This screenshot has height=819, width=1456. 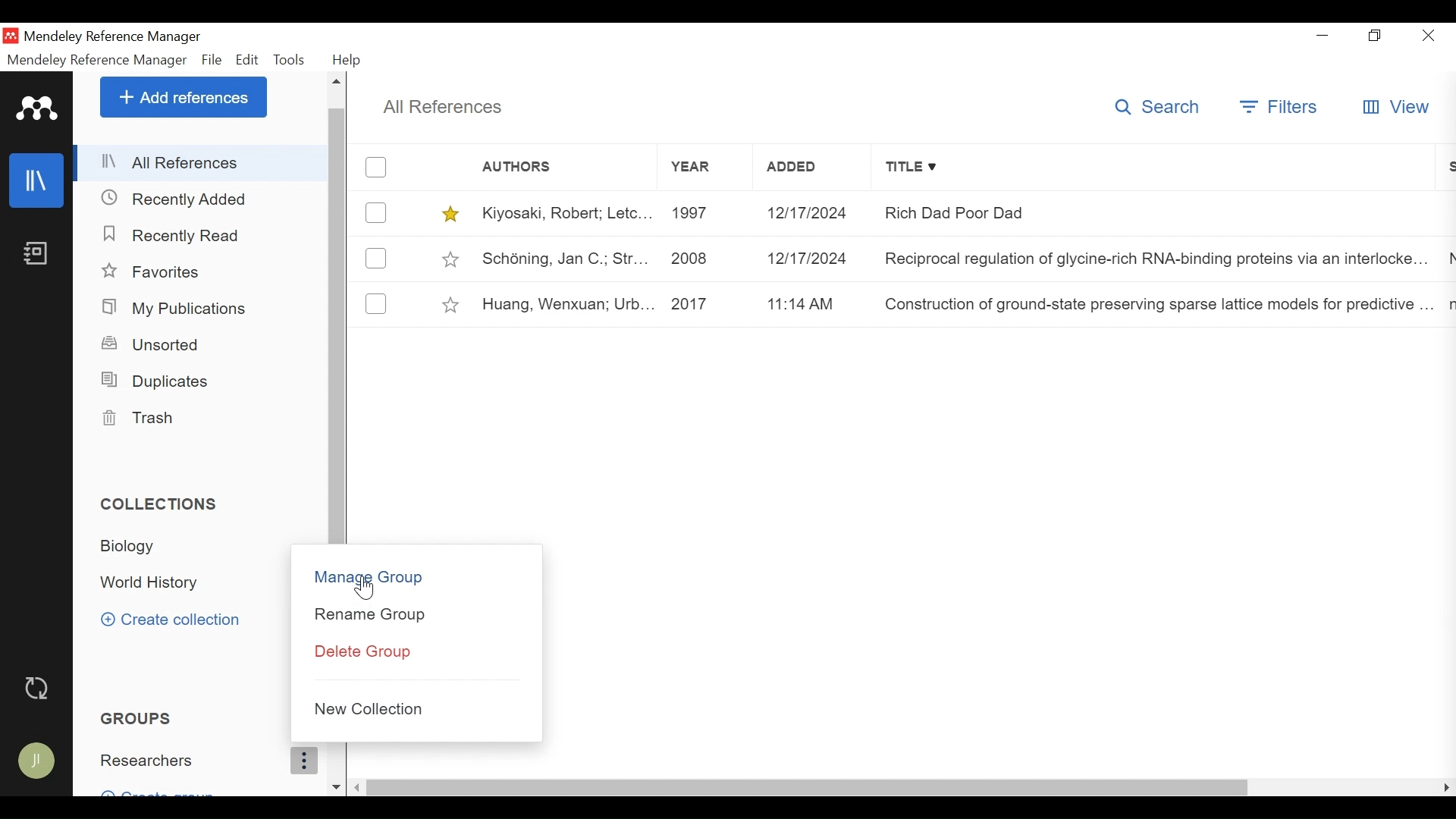 What do you see at coordinates (420, 708) in the screenshot?
I see `New Collection` at bounding box center [420, 708].